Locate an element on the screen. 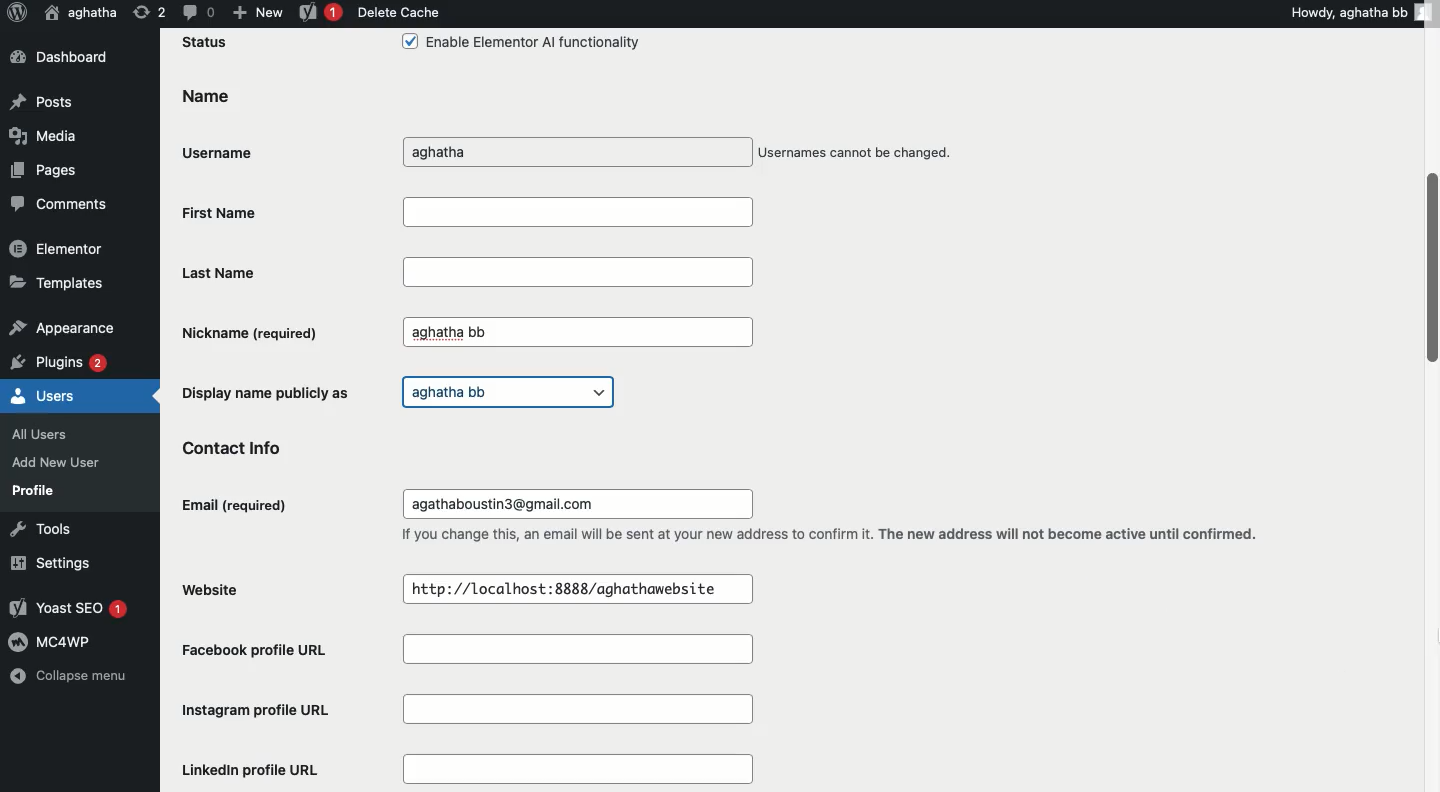 This screenshot has width=1440, height=792. Posts is located at coordinates (43, 104).